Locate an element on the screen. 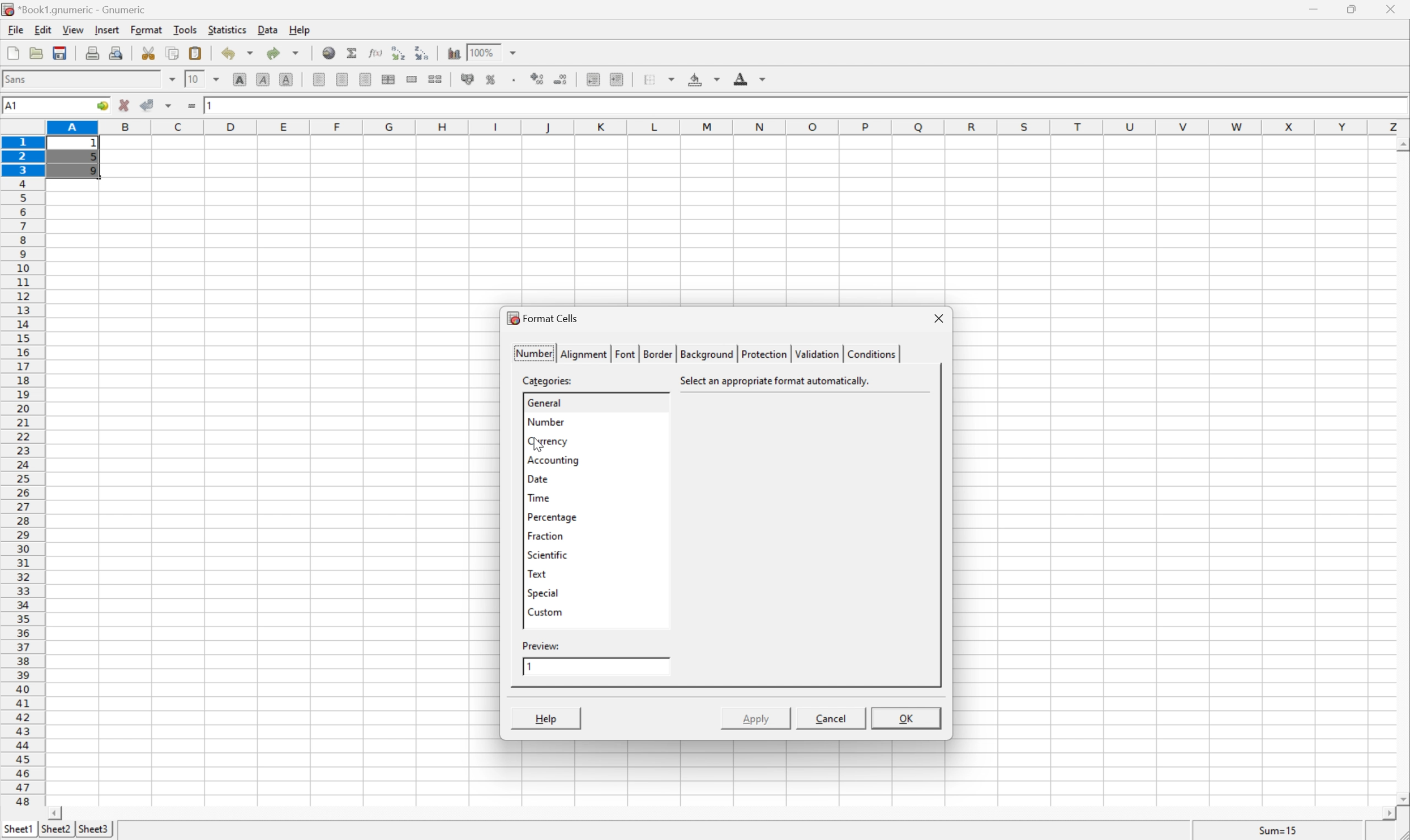 The image size is (1410, 840). go to is located at coordinates (102, 106).